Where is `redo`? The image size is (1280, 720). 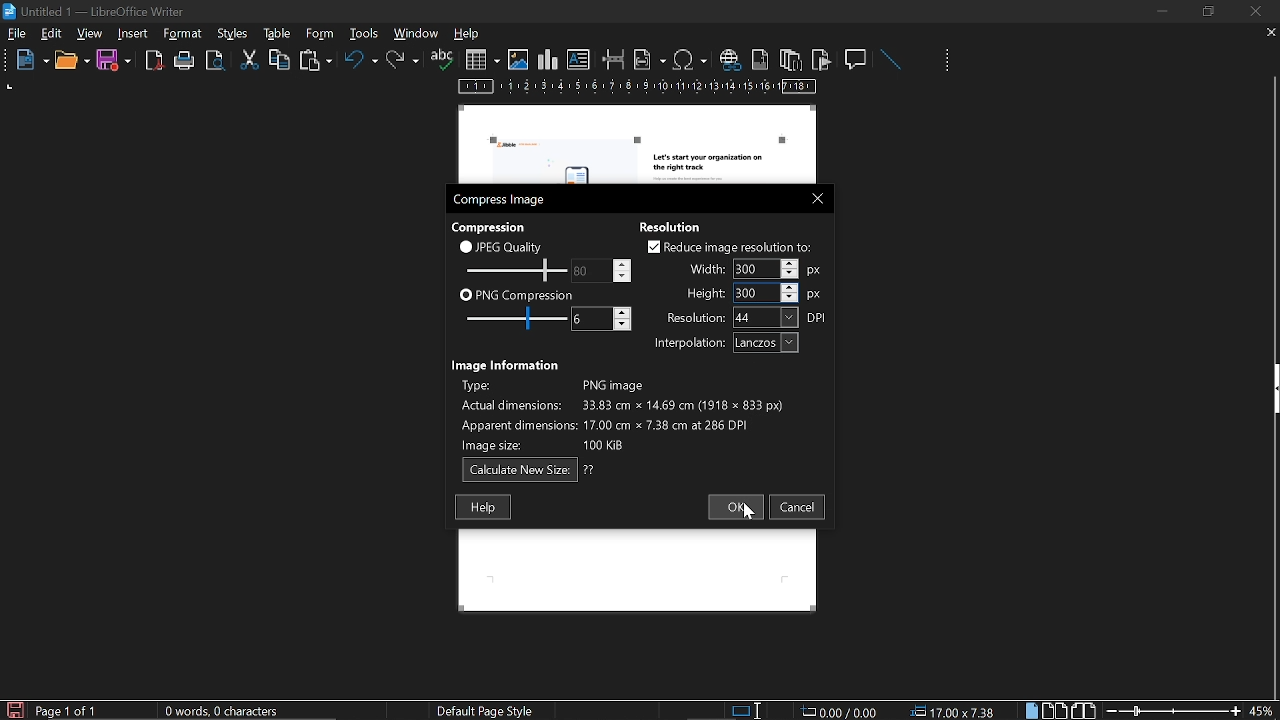 redo is located at coordinates (403, 60).